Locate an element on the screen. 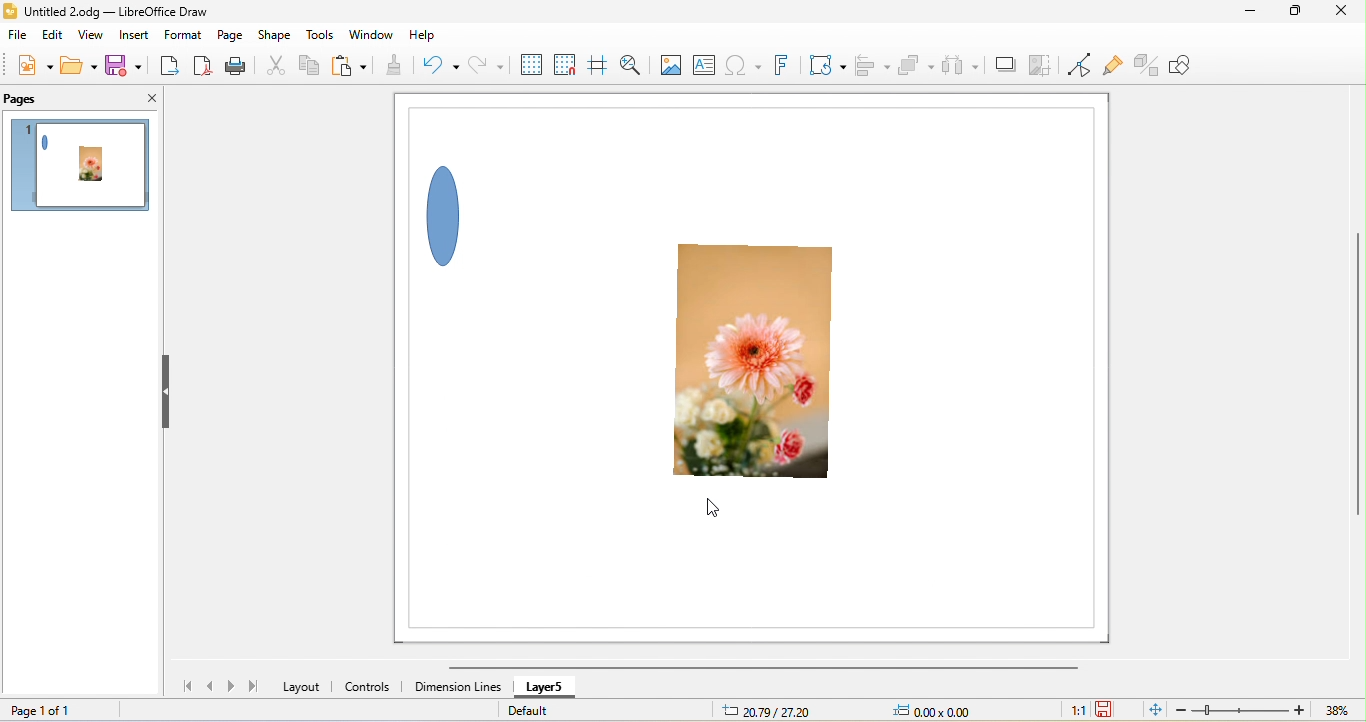  title is located at coordinates (118, 11).